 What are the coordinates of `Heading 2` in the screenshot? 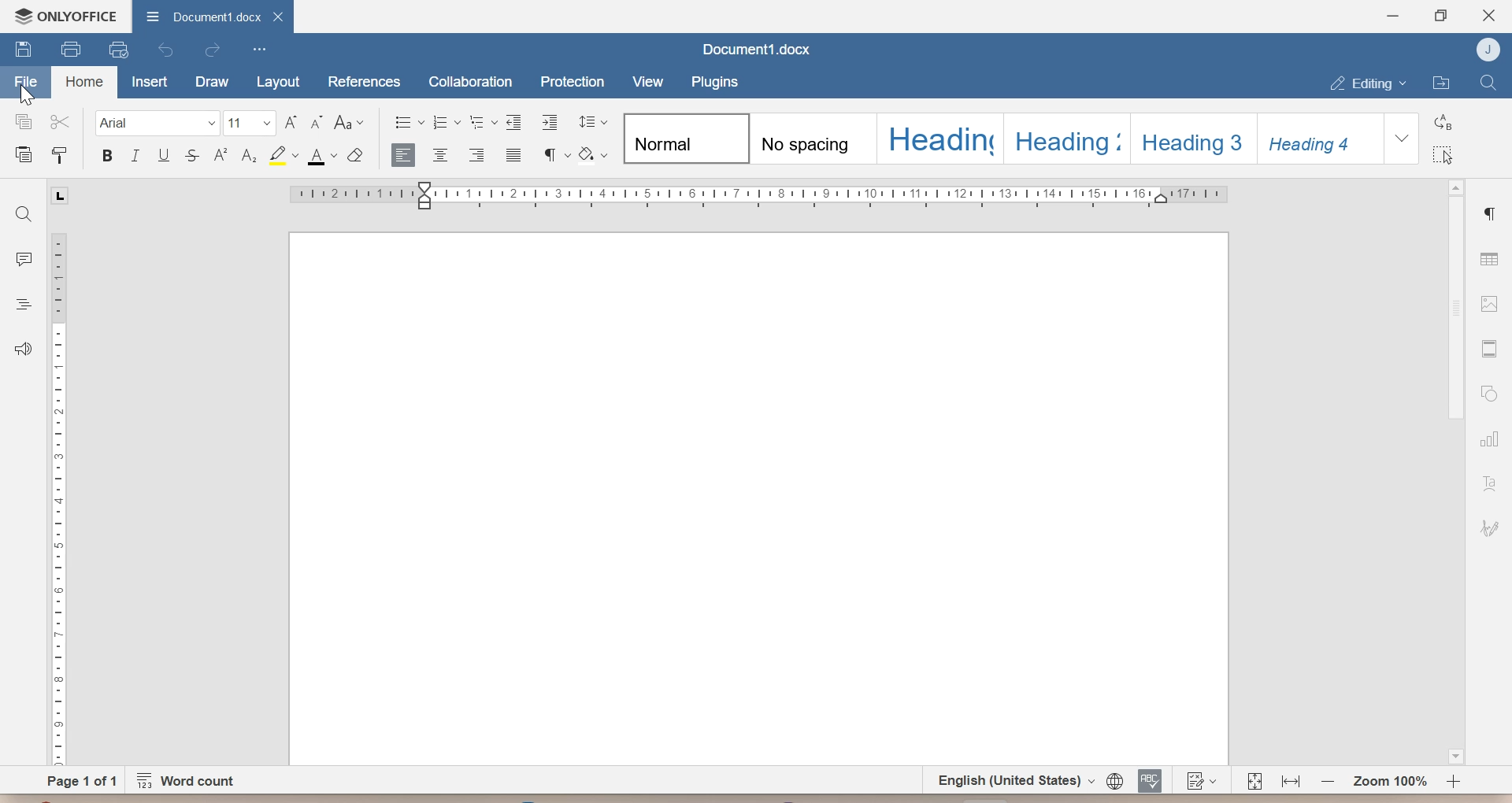 It's located at (1069, 138).